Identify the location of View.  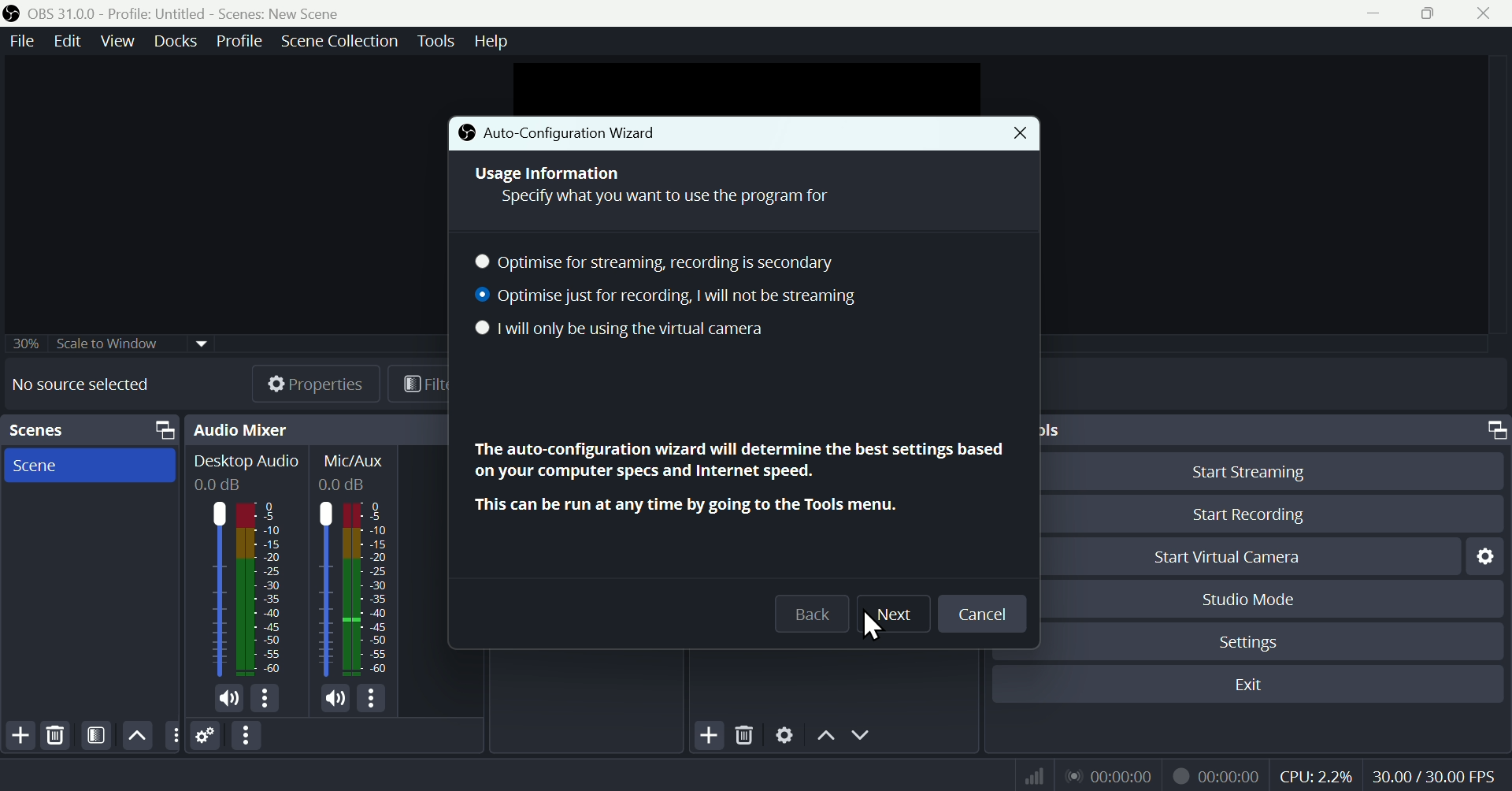
(114, 41).